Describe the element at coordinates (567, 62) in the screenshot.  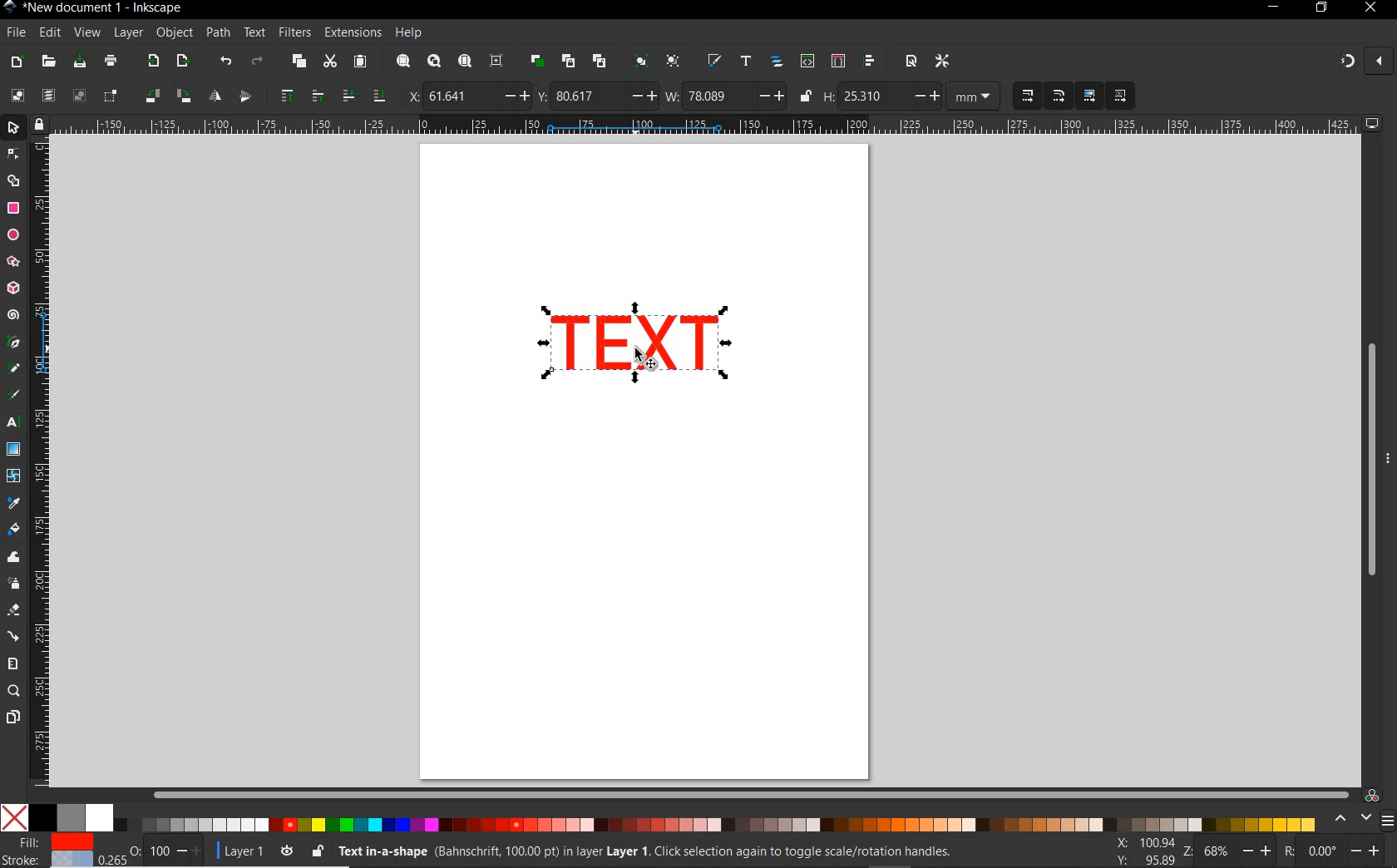
I see `create clone` at that location.